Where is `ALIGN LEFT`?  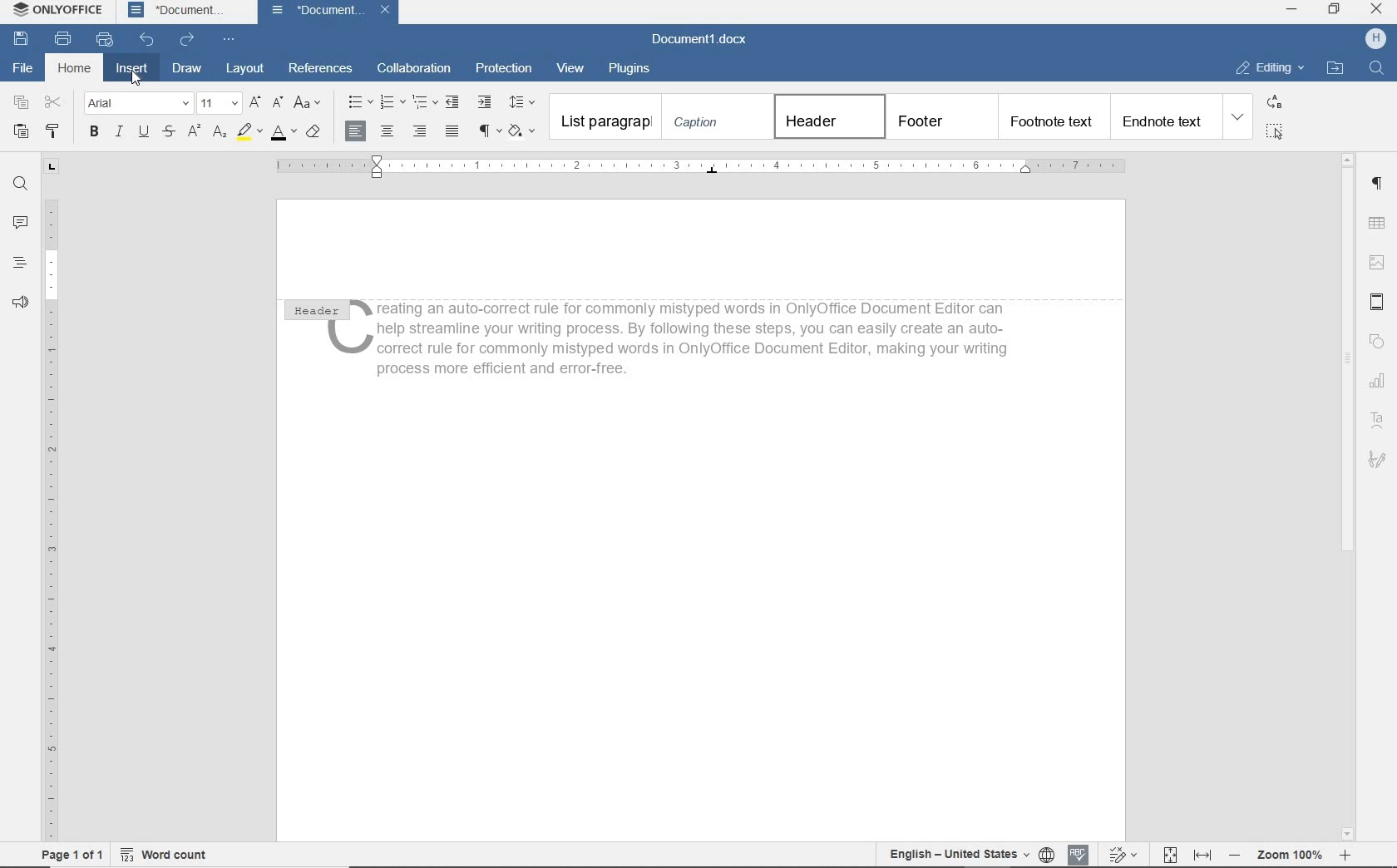 ALIGN LEFT is located at coordinates (357, 131).